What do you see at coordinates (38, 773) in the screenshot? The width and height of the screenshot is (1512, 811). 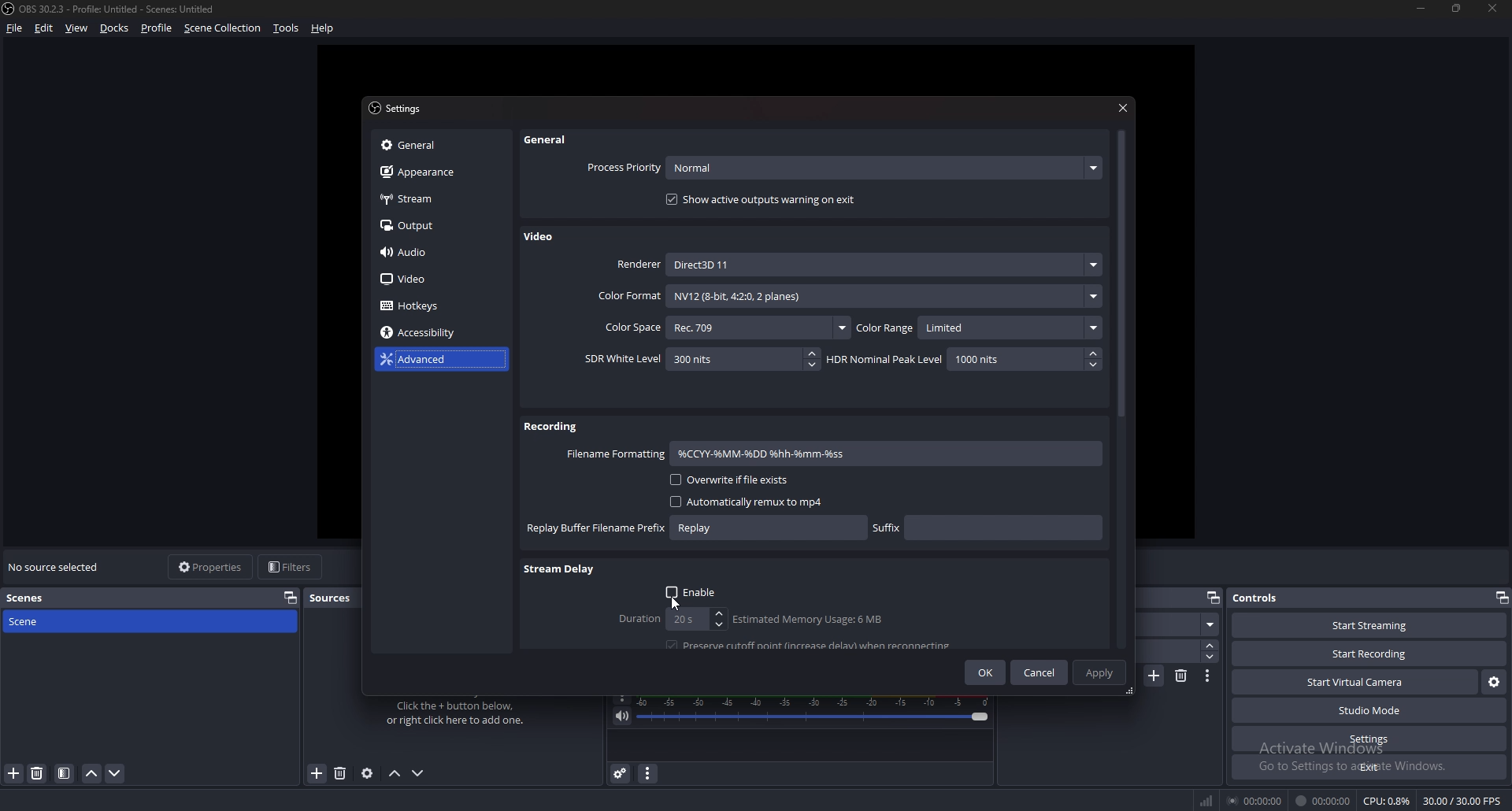 I see `remove scene` at bounding box center [38, 773].